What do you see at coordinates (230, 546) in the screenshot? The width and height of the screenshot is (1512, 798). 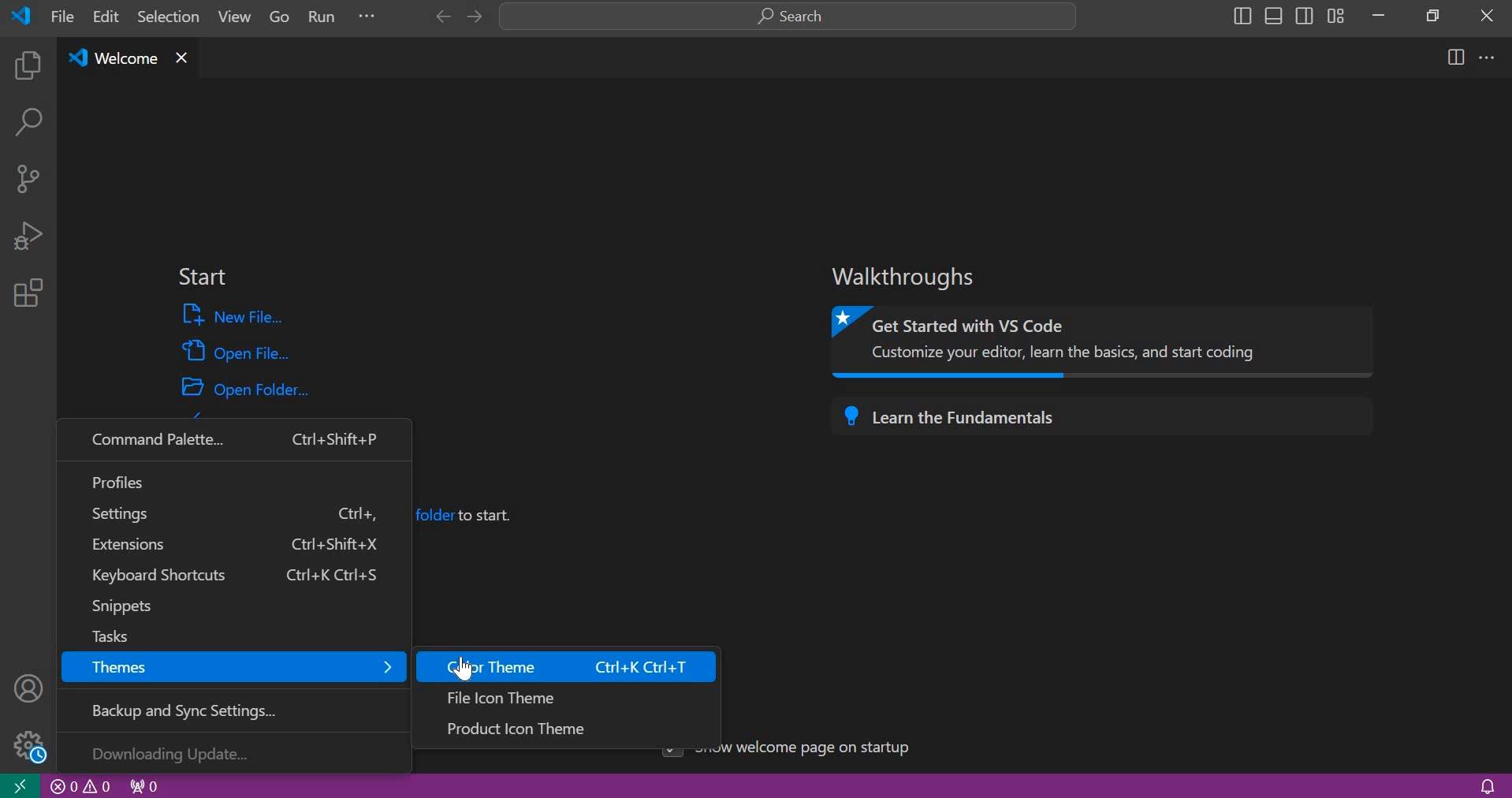 I see `extensions` at bounding box center [230, 546].